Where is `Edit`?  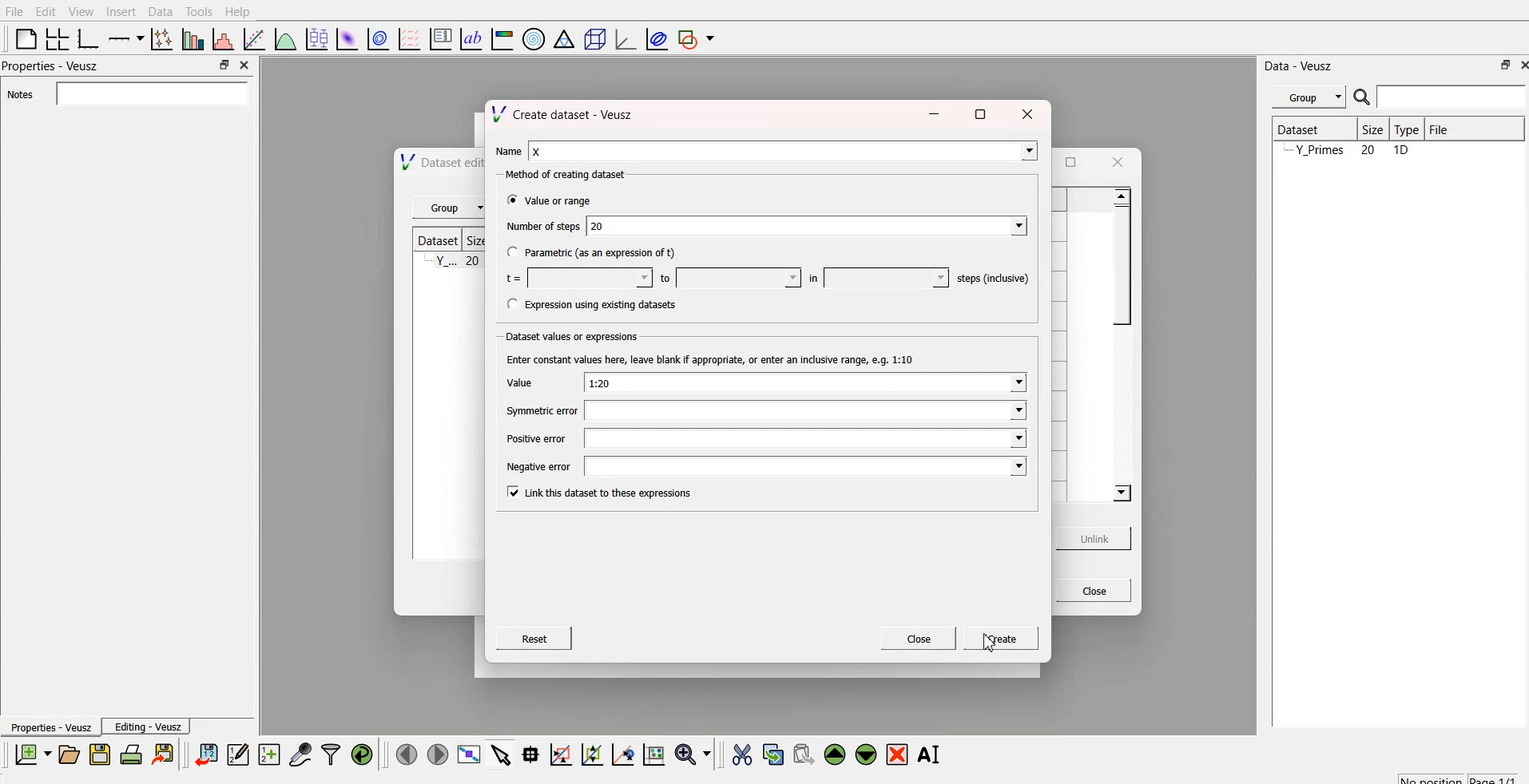 Edit is located at coordinates (43, 10).